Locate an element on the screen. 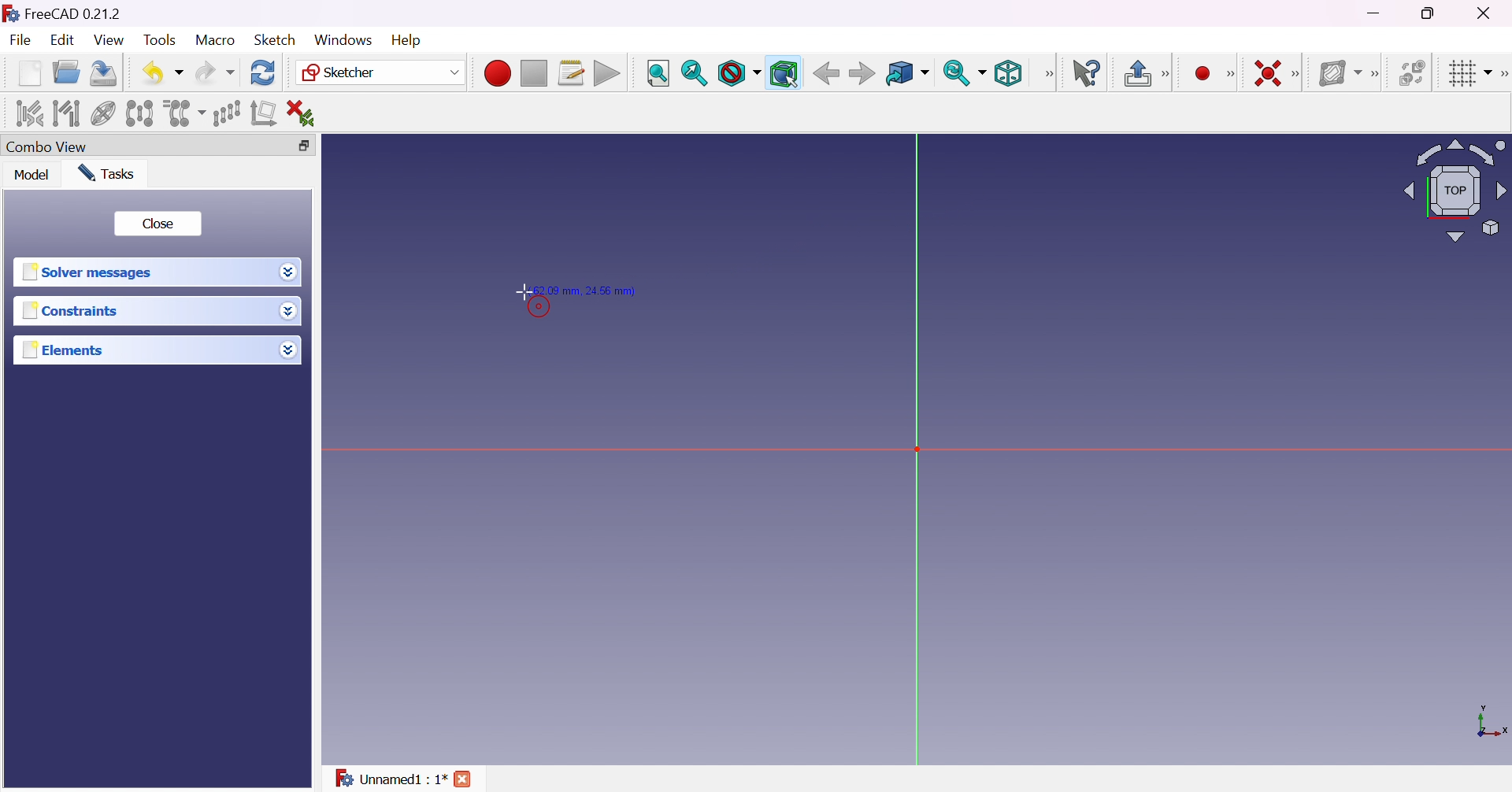  [Sketcher B-spline tools]] is located at coordinates (1379, 74).